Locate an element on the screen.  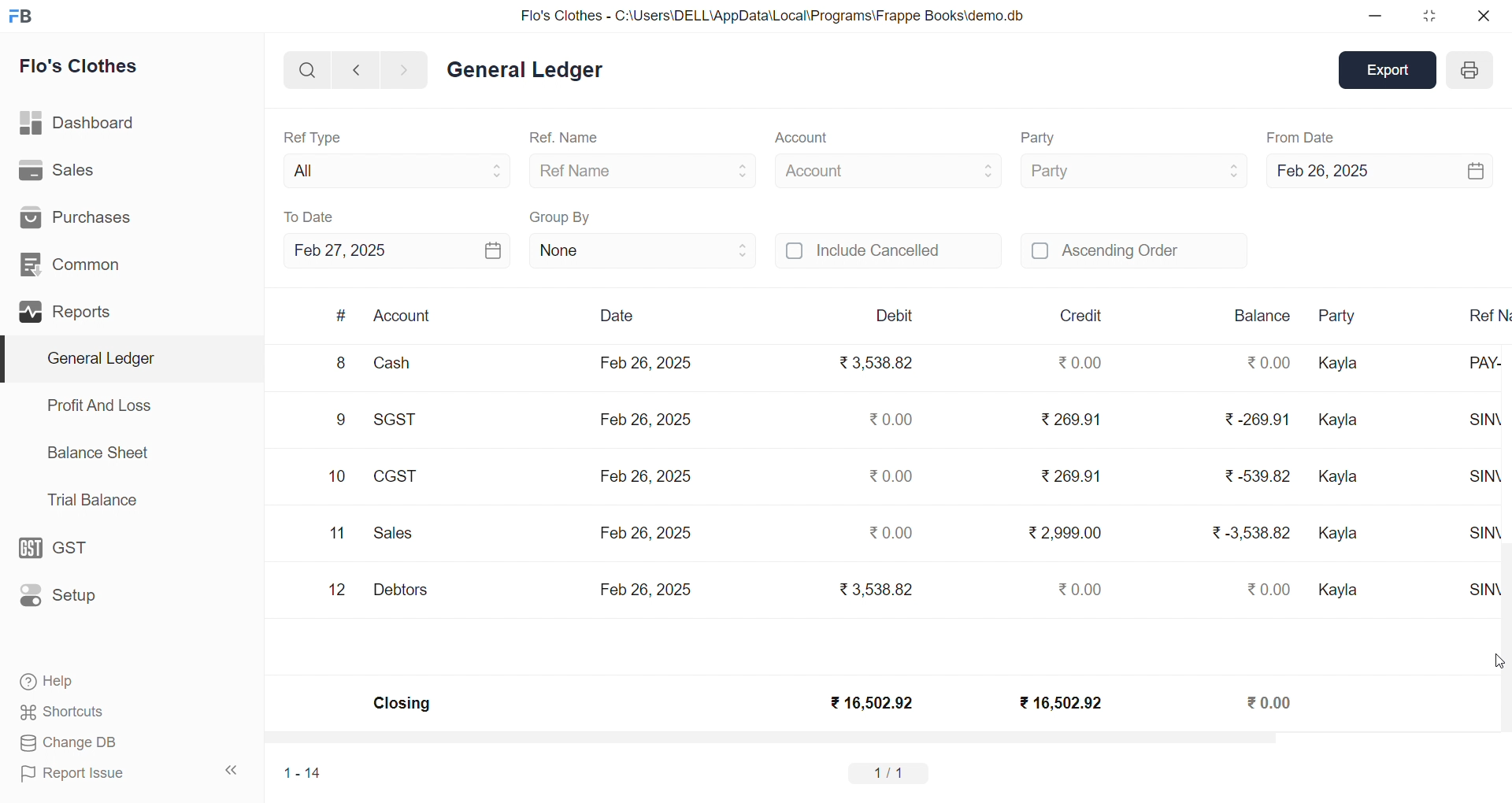
SINV- is located at coordinates (1483, 483).